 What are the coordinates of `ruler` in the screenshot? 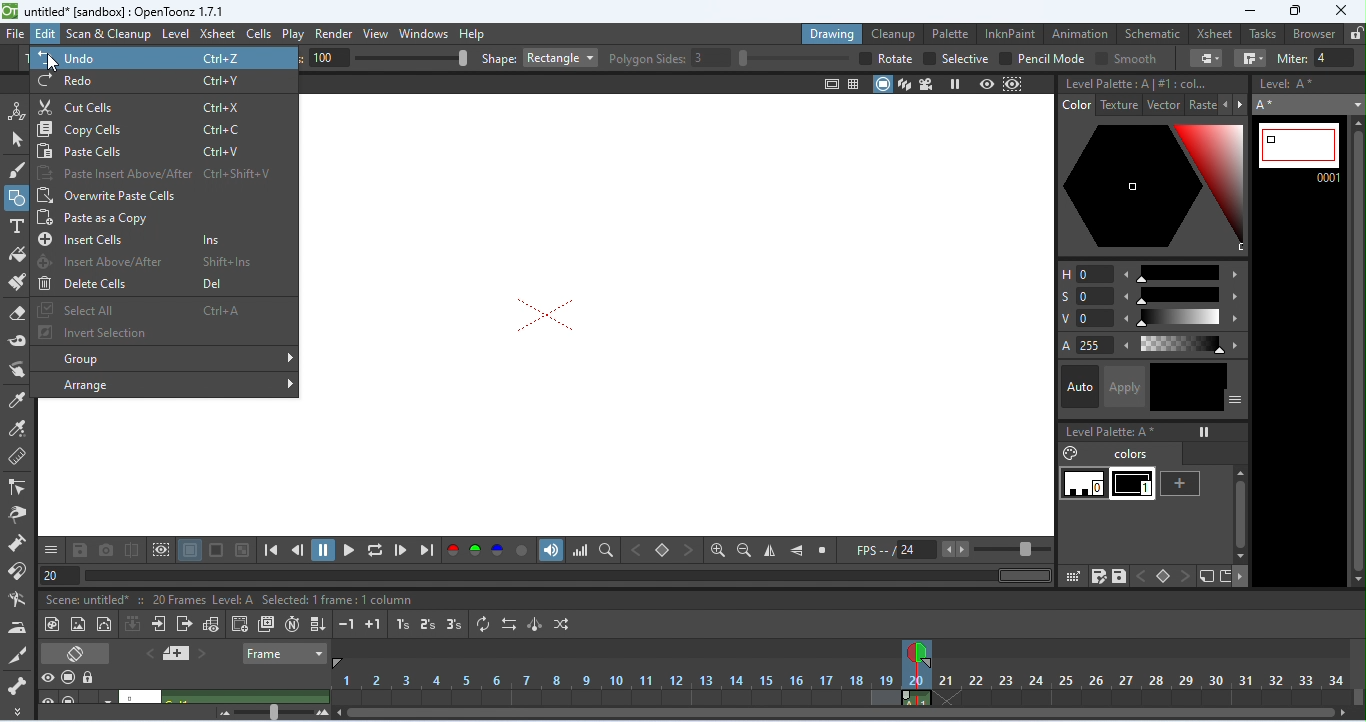 It's located at (18, 456).